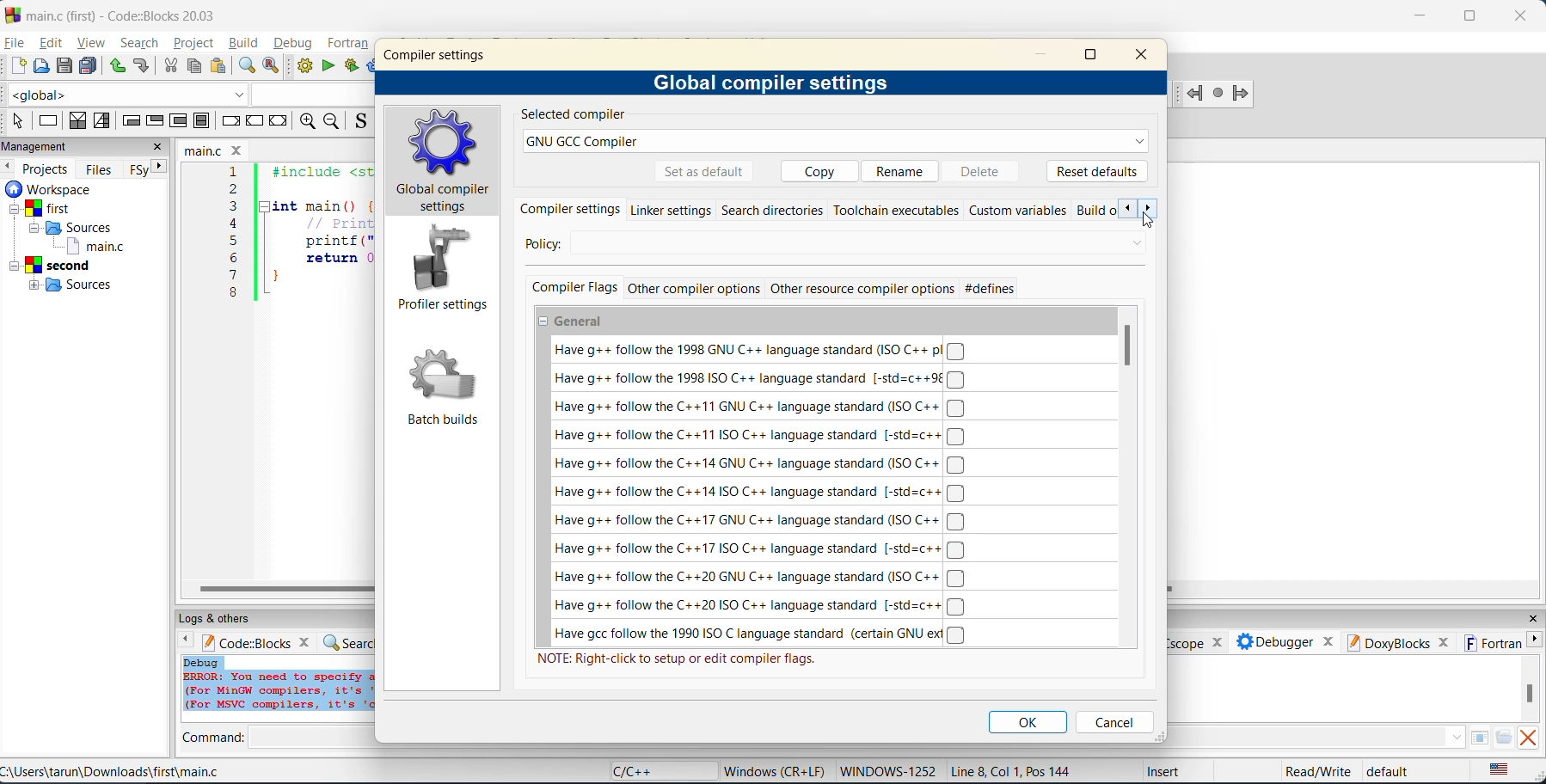  I want to click on find, so click(244, 65).